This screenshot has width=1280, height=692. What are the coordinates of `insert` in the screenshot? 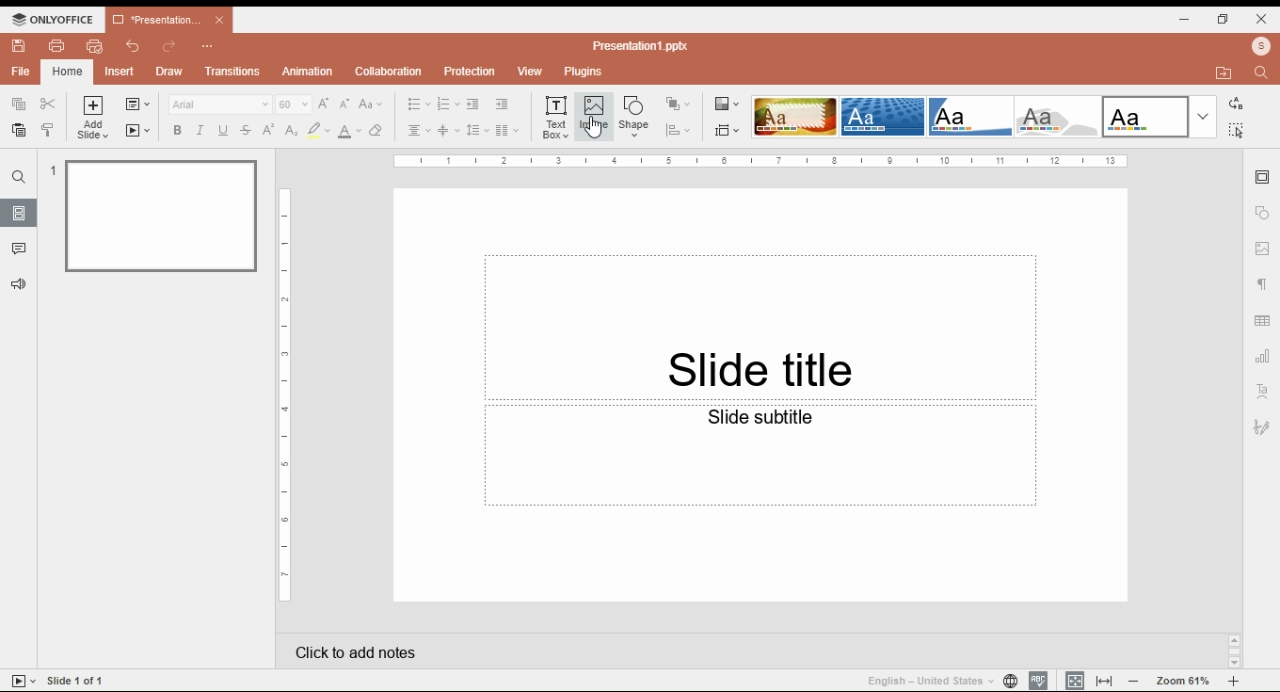 It's located at (120, 71).